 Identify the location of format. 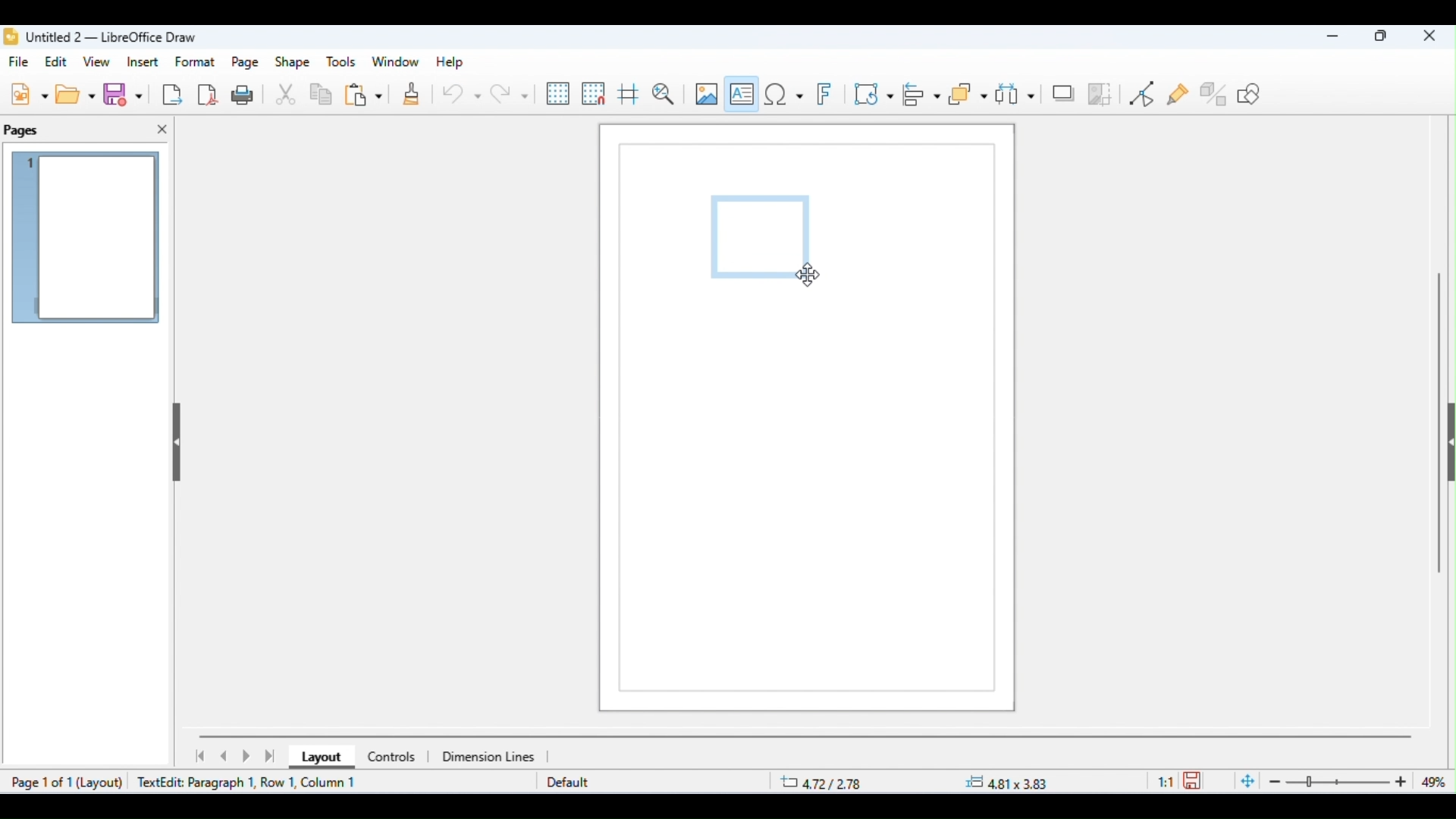
(196, 61).